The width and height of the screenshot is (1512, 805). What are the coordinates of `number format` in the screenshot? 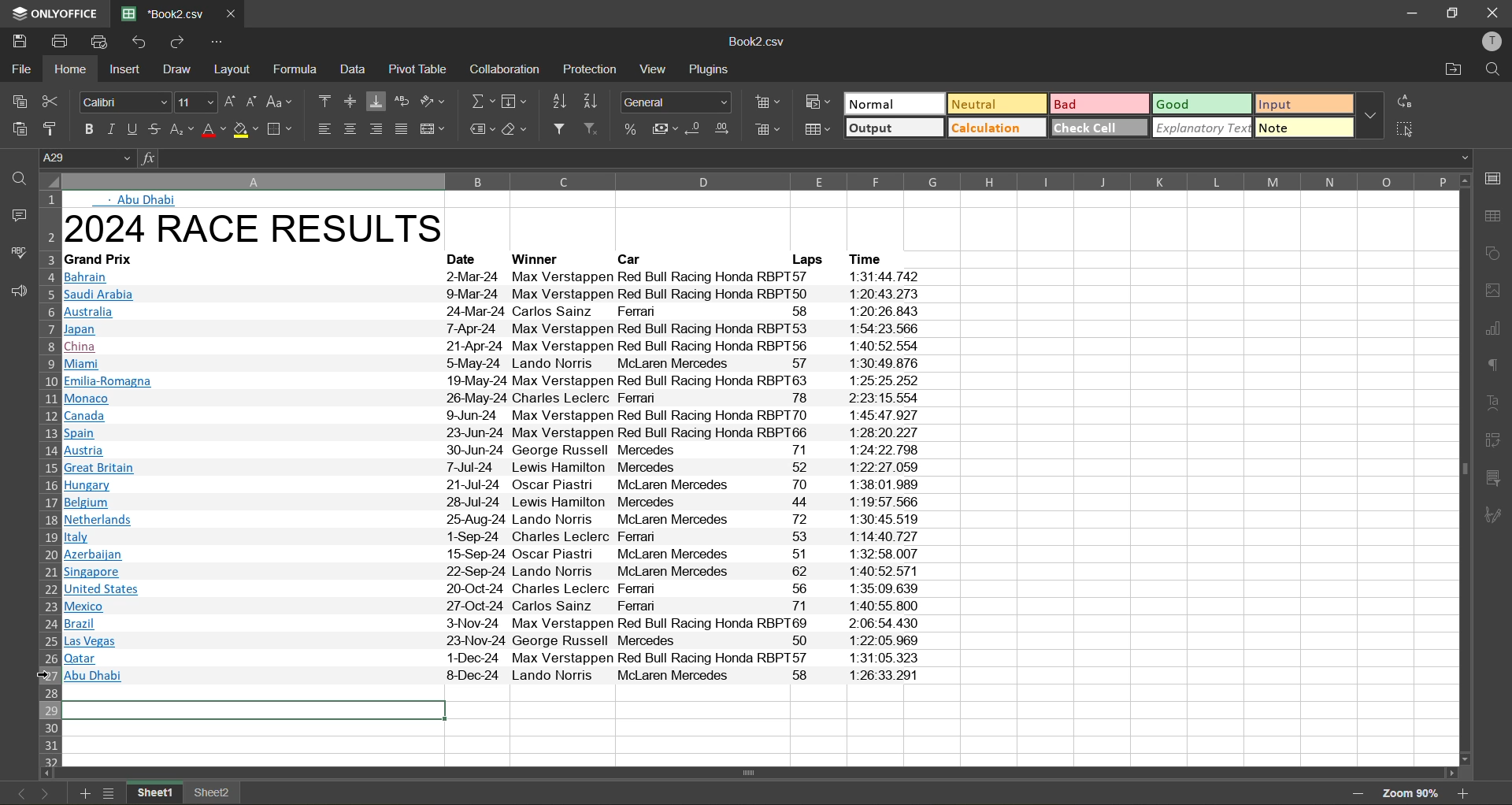 It's located at (680, 100).